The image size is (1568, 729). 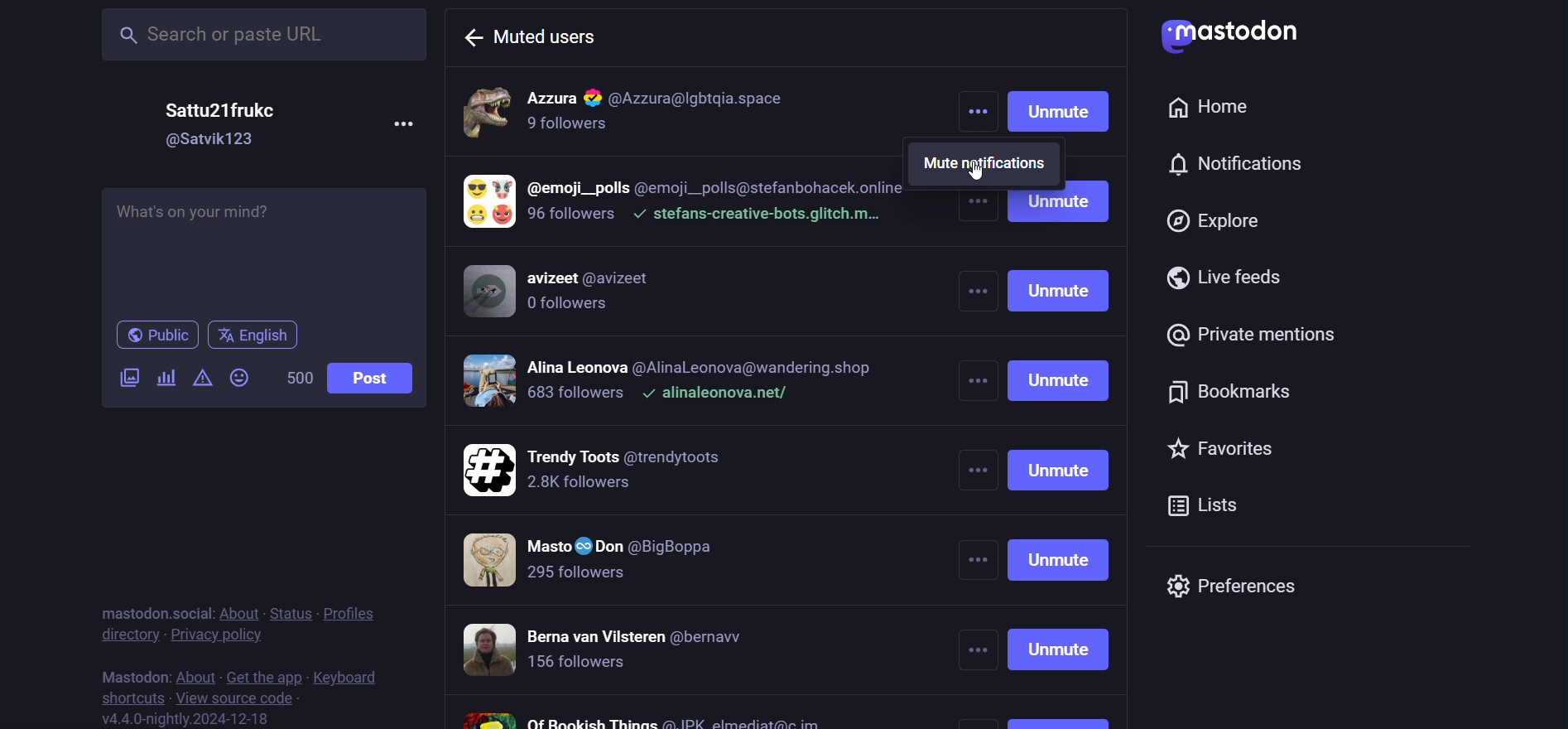 What do you see at coordinates (1061, 107) in the screenshot?
I see `unmute` at bounding box center [1061, 107].